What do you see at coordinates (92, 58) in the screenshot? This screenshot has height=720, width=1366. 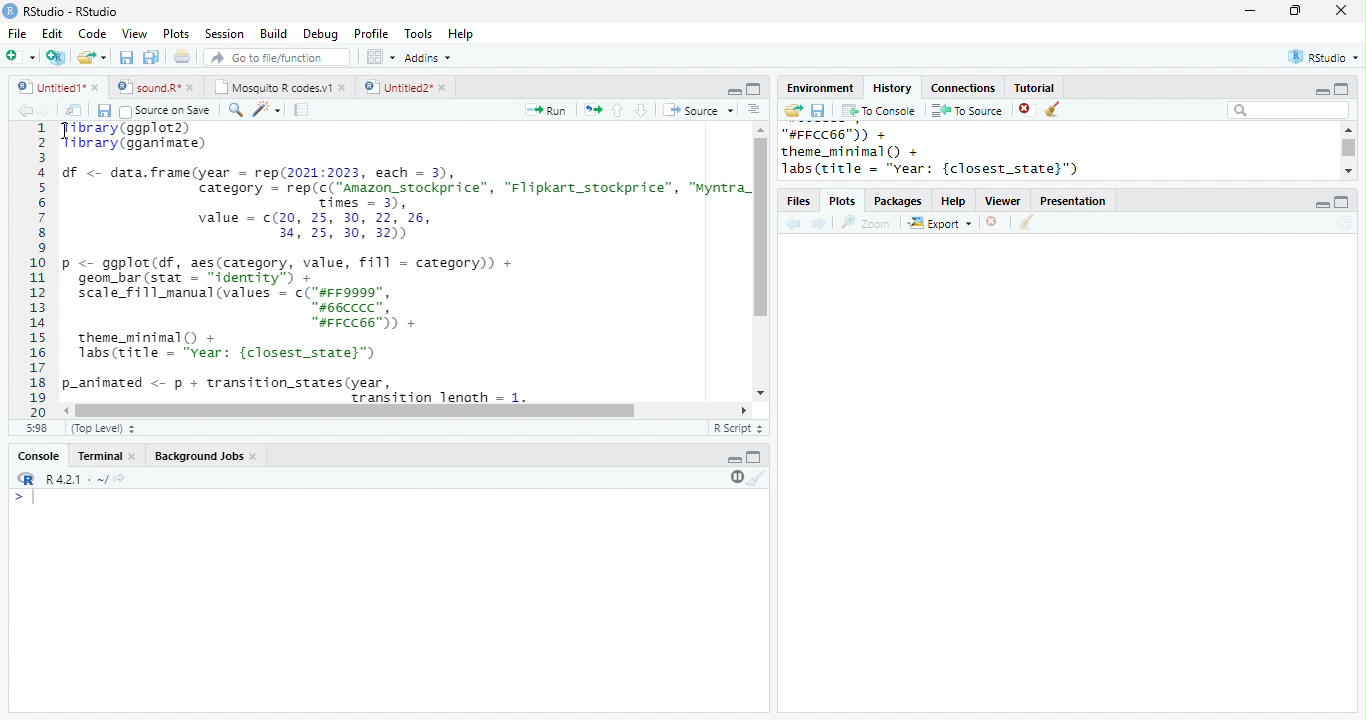 I see `open file` at bounding box center [92, 58].